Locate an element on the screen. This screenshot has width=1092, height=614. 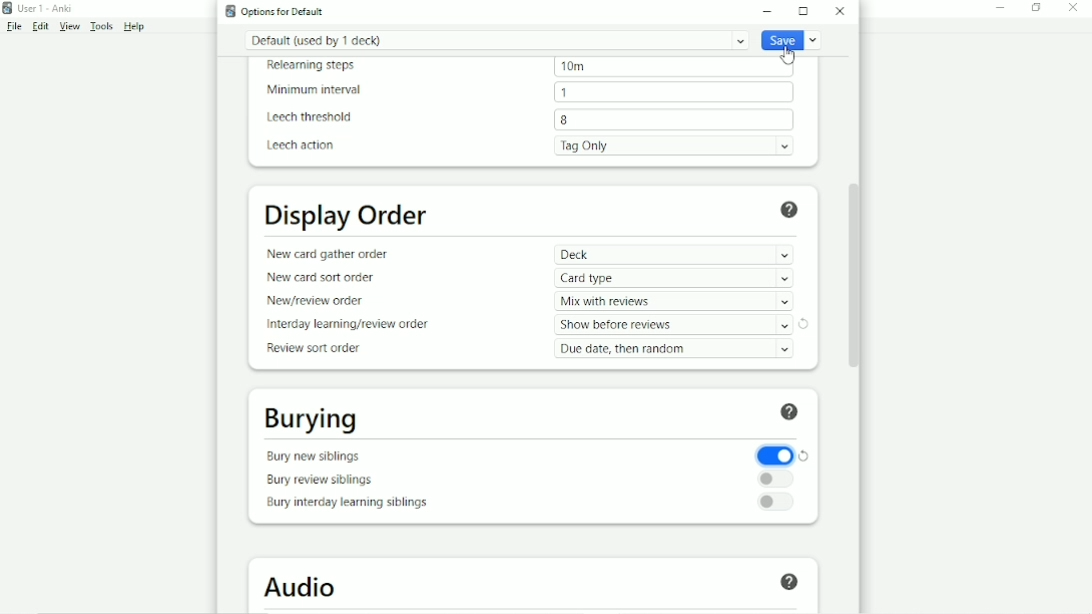
Review sort order is located at coordinates (320, 349).